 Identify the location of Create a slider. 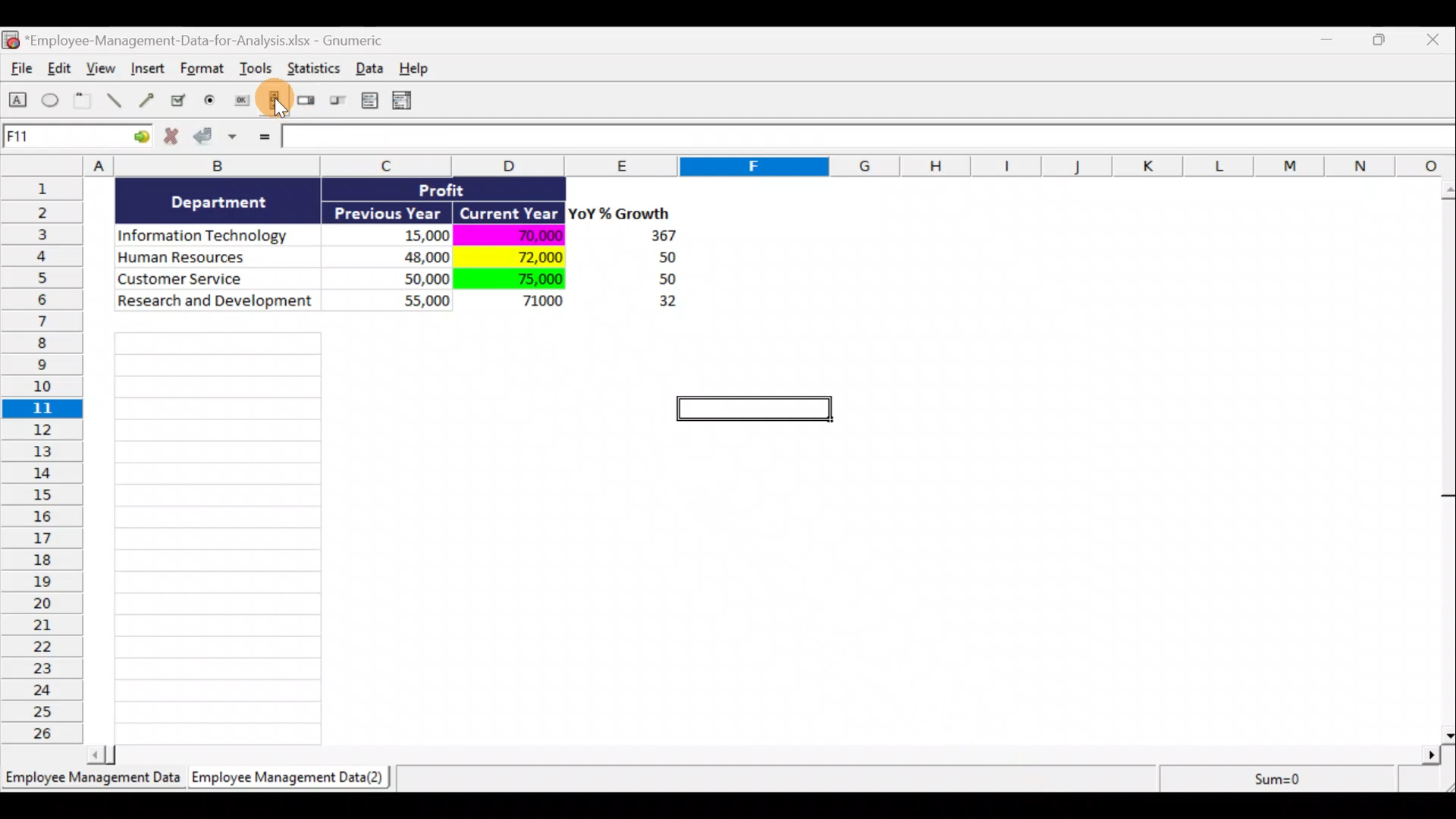
(336, 103).